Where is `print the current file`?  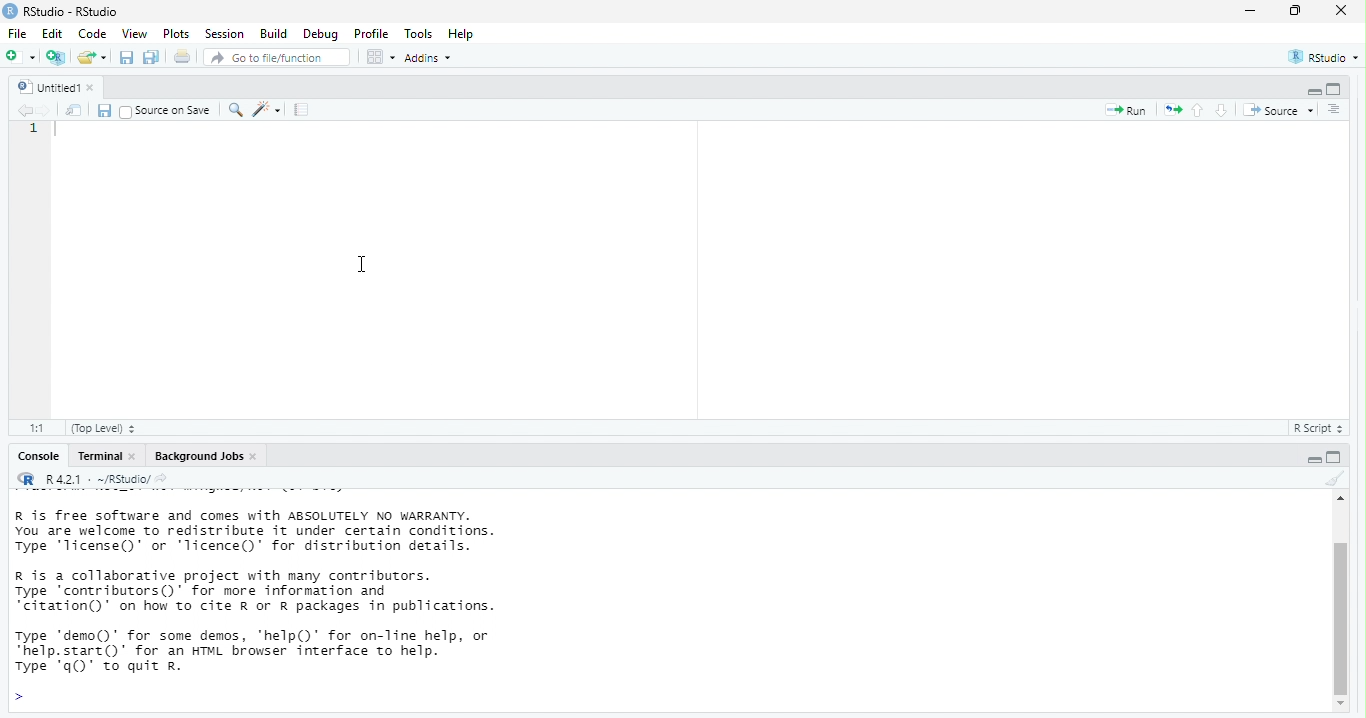 print the current file is located at coordinates (182, 57).